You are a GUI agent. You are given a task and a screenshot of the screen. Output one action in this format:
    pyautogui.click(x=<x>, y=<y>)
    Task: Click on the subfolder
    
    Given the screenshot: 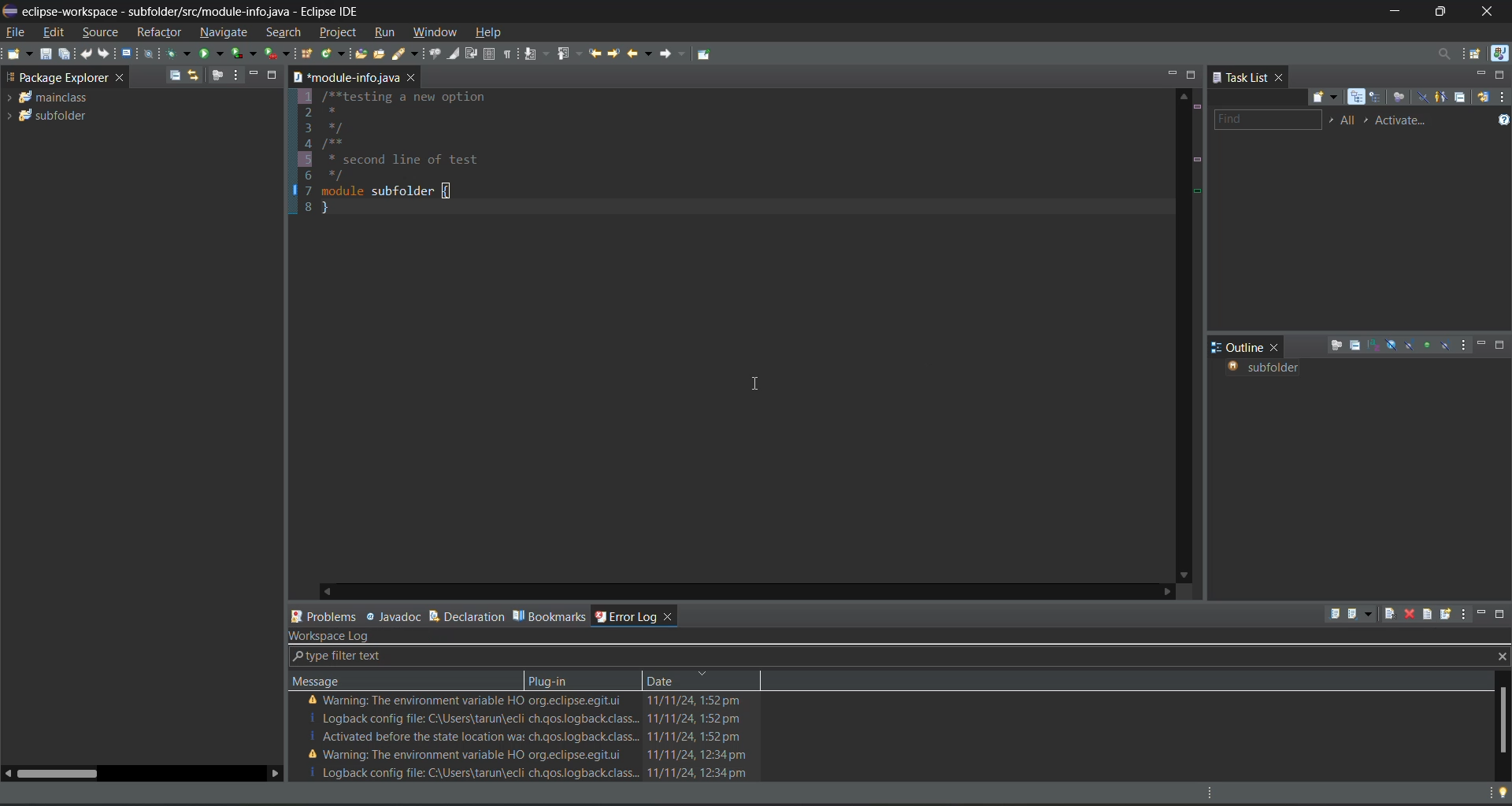 What is the action you would take?
    pyautogui.click(x=61, y=121)
    